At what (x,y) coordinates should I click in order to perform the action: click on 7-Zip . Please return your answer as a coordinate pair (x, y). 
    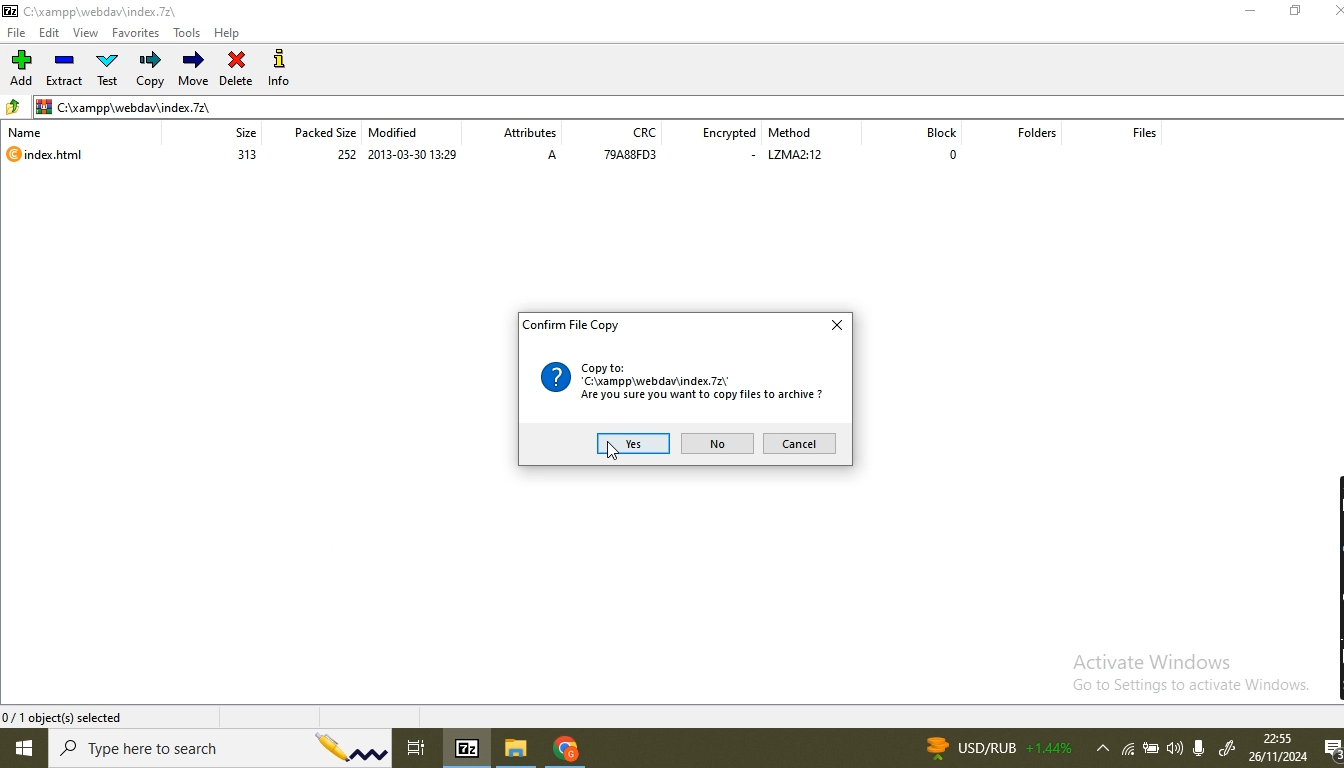
    Looking at the image, I should click on (469, 747).